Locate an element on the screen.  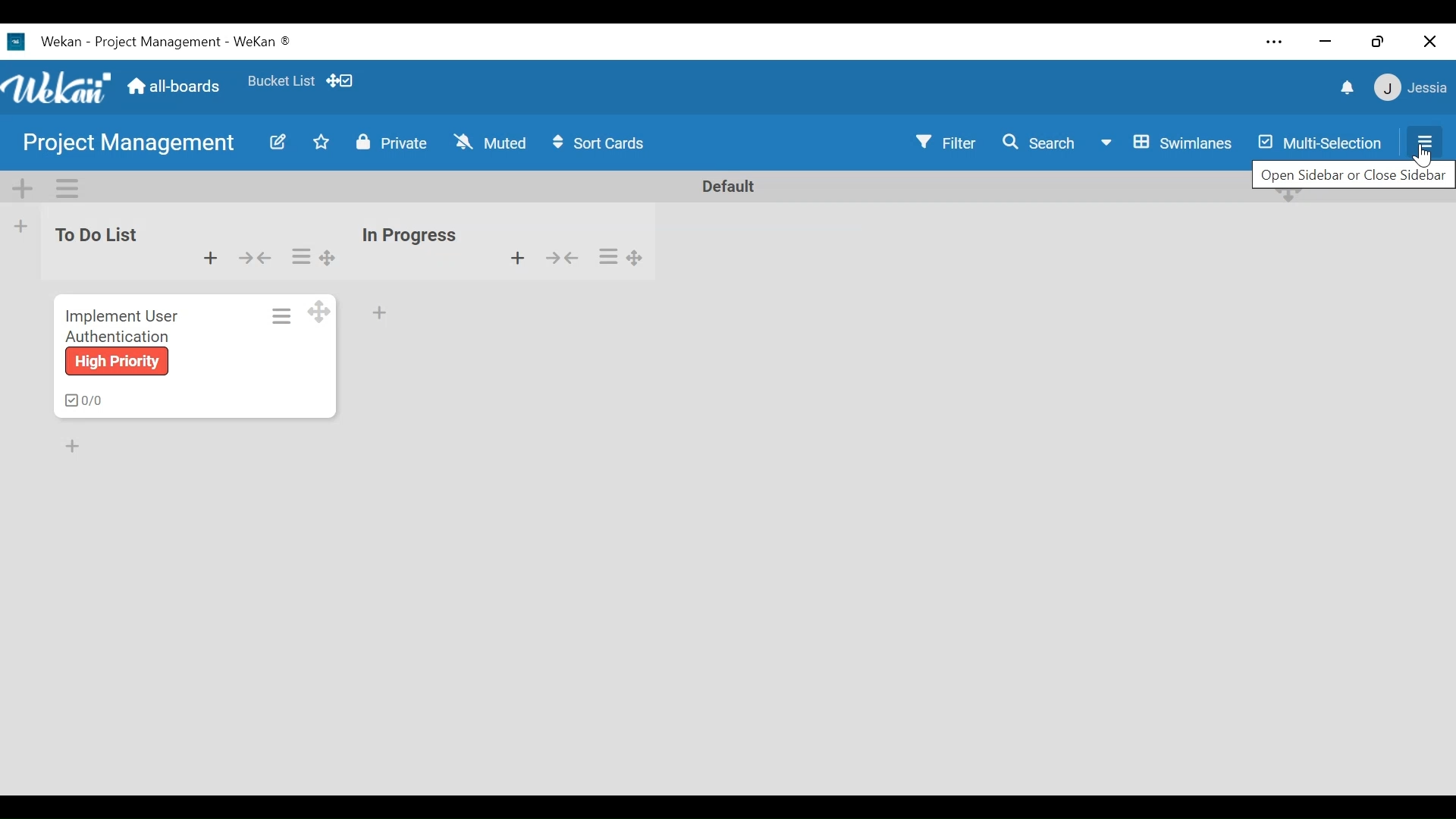
Search is located at coordinates (1038, 141).